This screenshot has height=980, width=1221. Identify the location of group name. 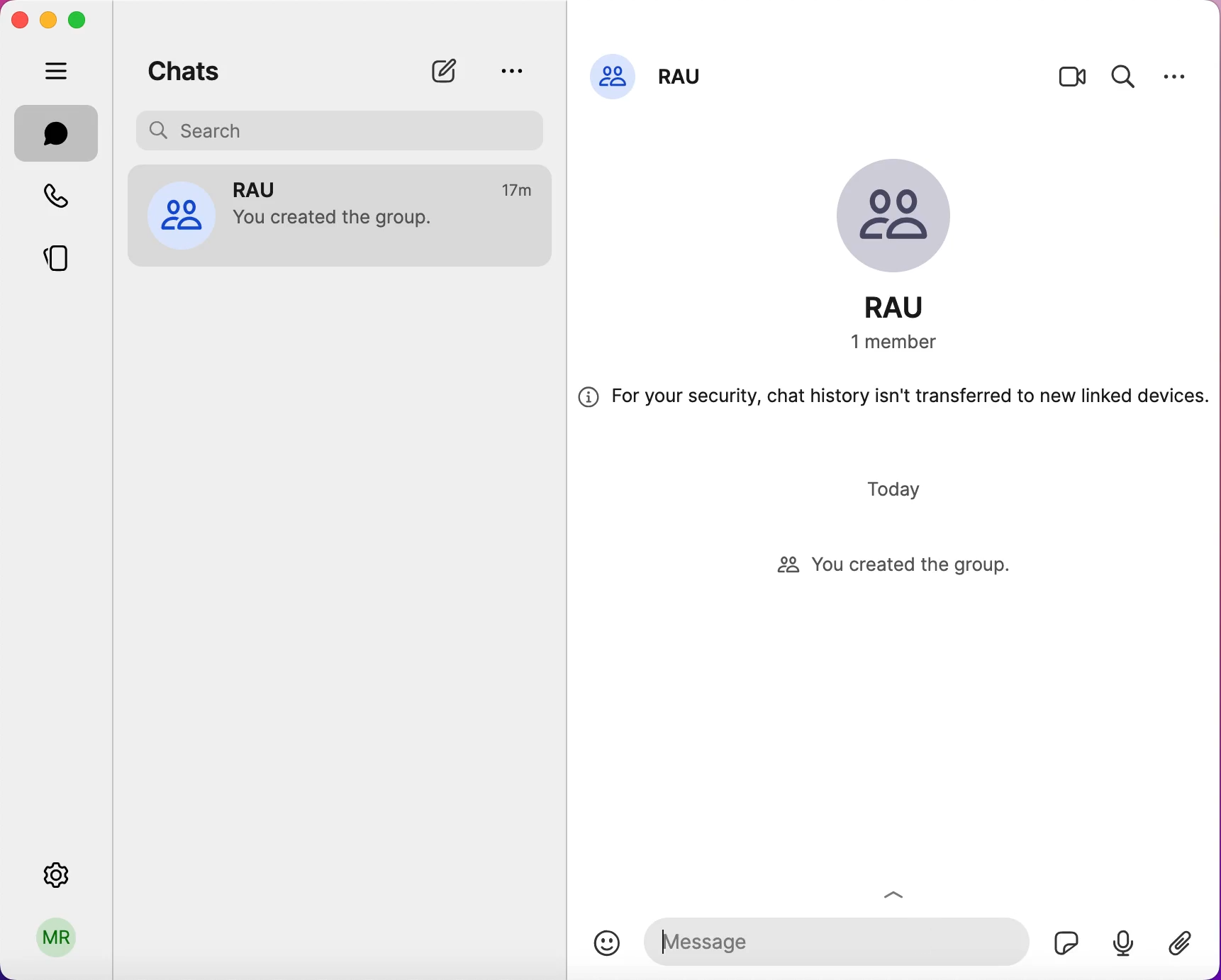
(684, 72).